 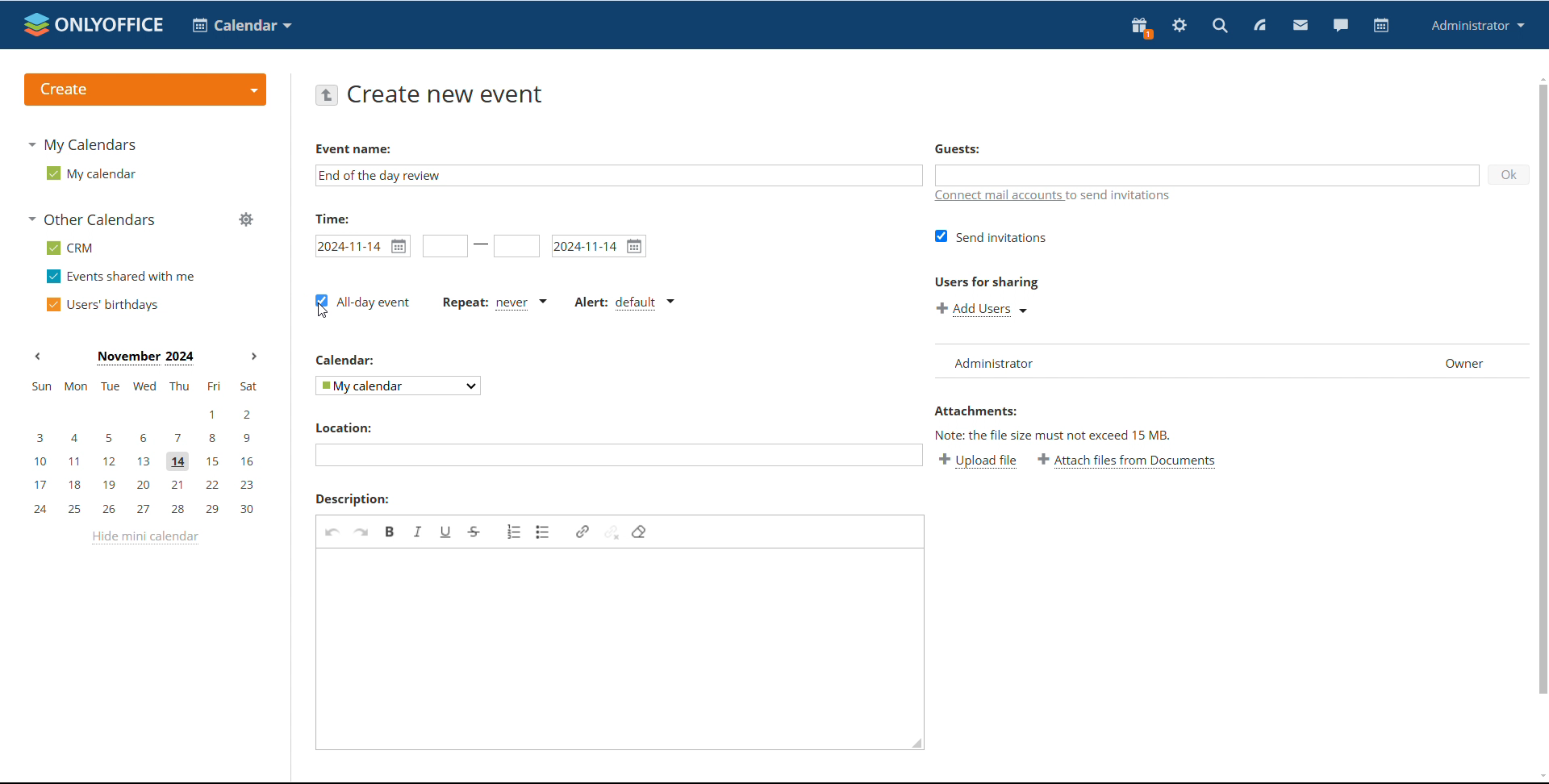 What do you see at coordinates (399, 385) in the screenshot?
I see `select calendar` at bounding box center [399, 385].